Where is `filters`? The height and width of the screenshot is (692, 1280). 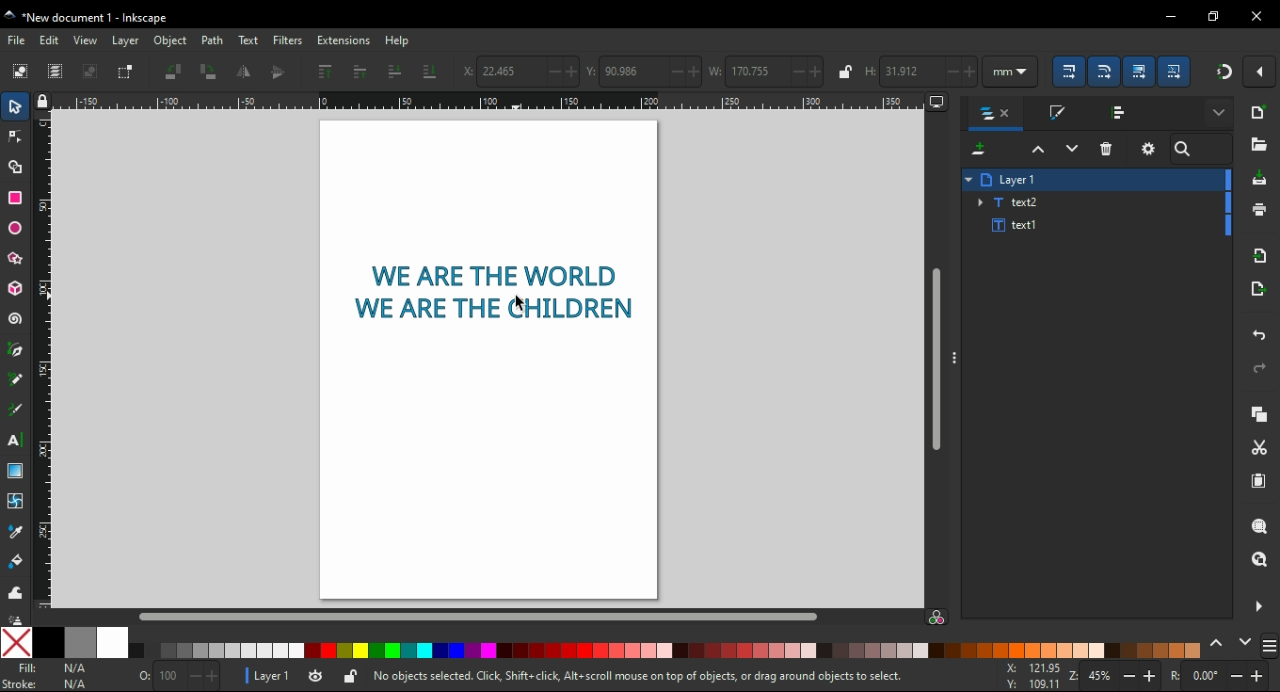
filters is located at coordinates (289, 41).